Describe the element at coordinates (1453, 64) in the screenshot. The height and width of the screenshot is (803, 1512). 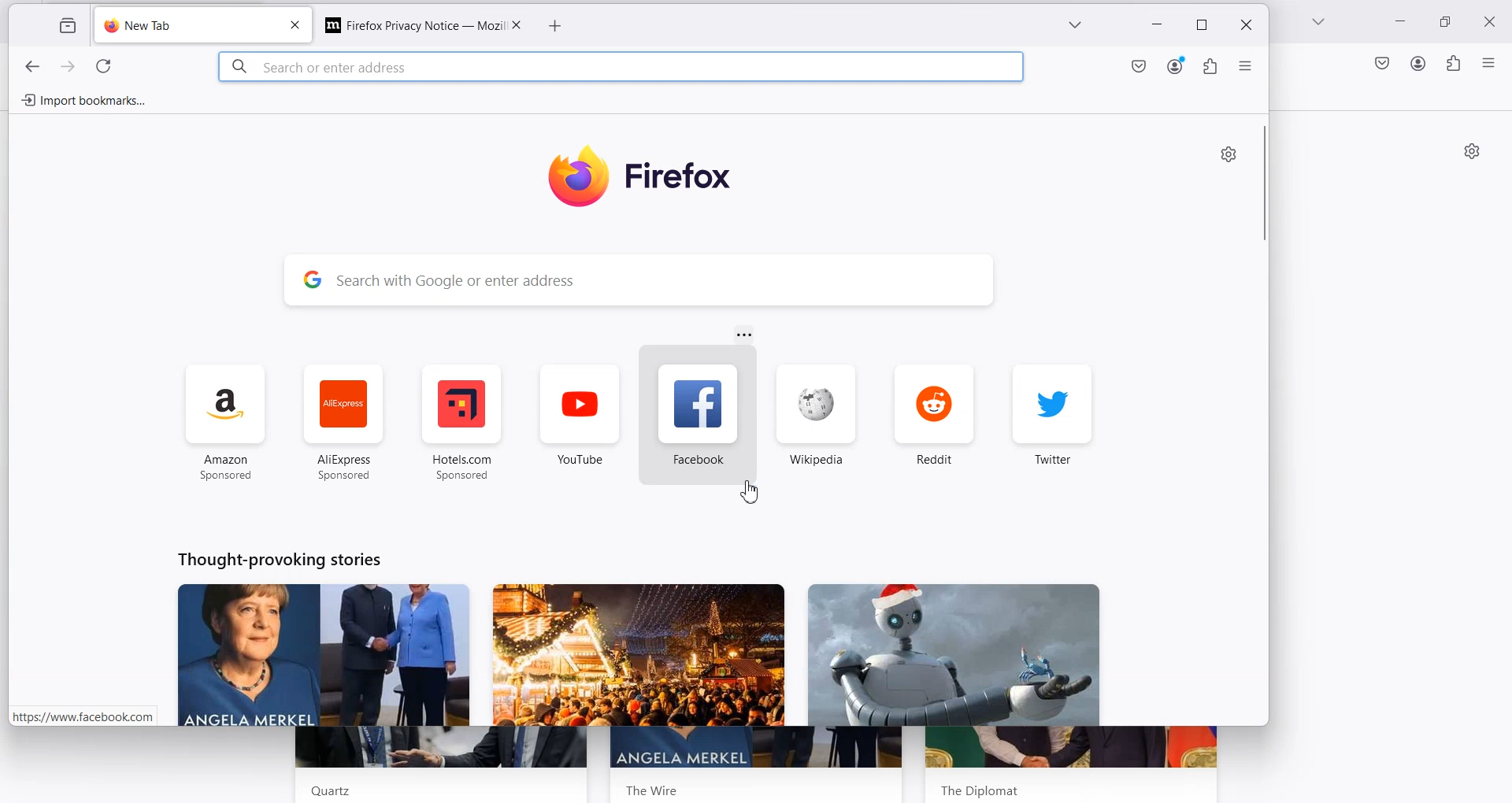
I see `Extensions` at that location.